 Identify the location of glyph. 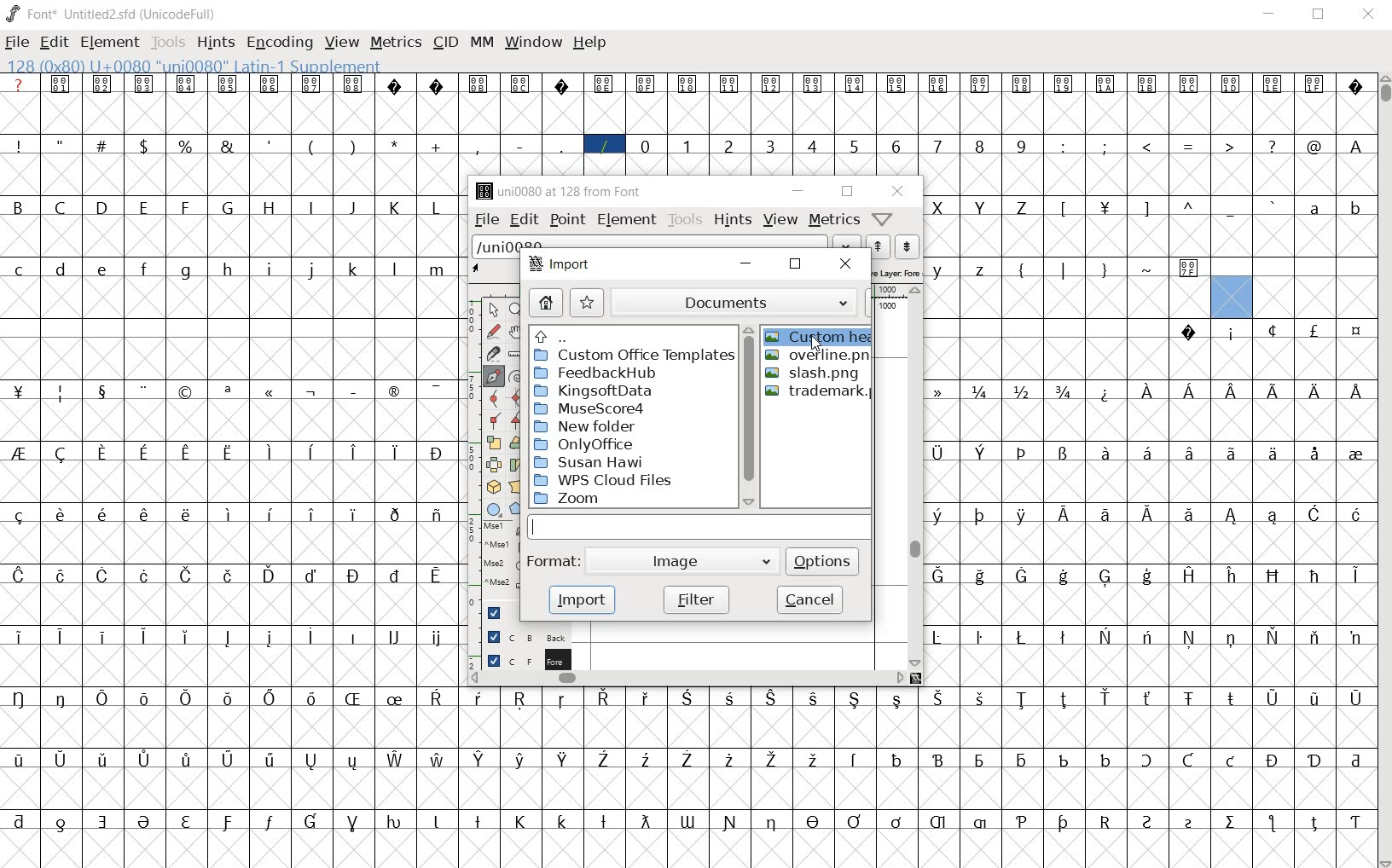
(394, 515).